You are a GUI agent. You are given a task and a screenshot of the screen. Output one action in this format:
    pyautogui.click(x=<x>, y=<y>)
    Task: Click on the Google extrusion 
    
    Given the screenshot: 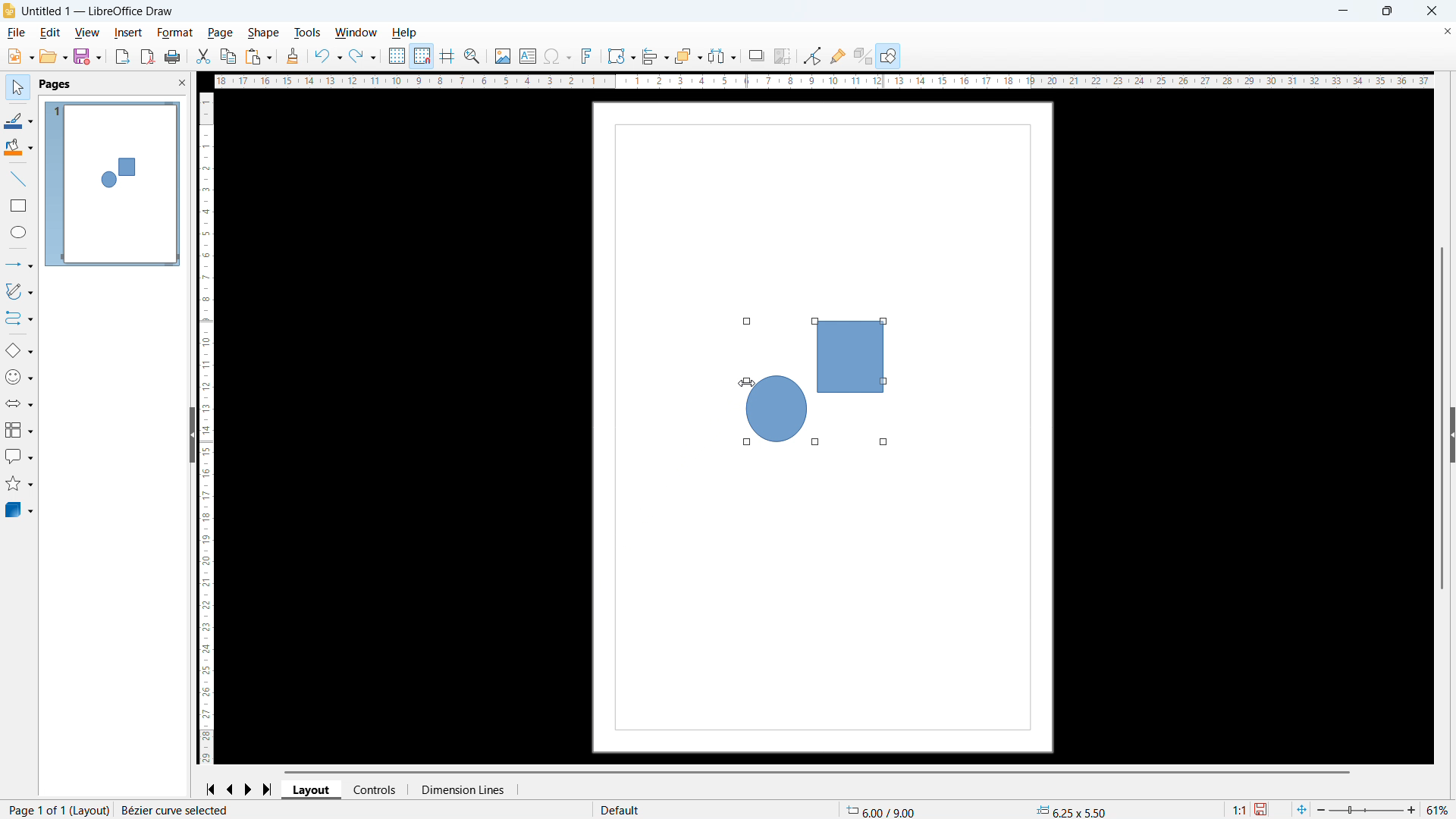 What is the action you would take?
    pyautogui.click(x=862, y=56)
    